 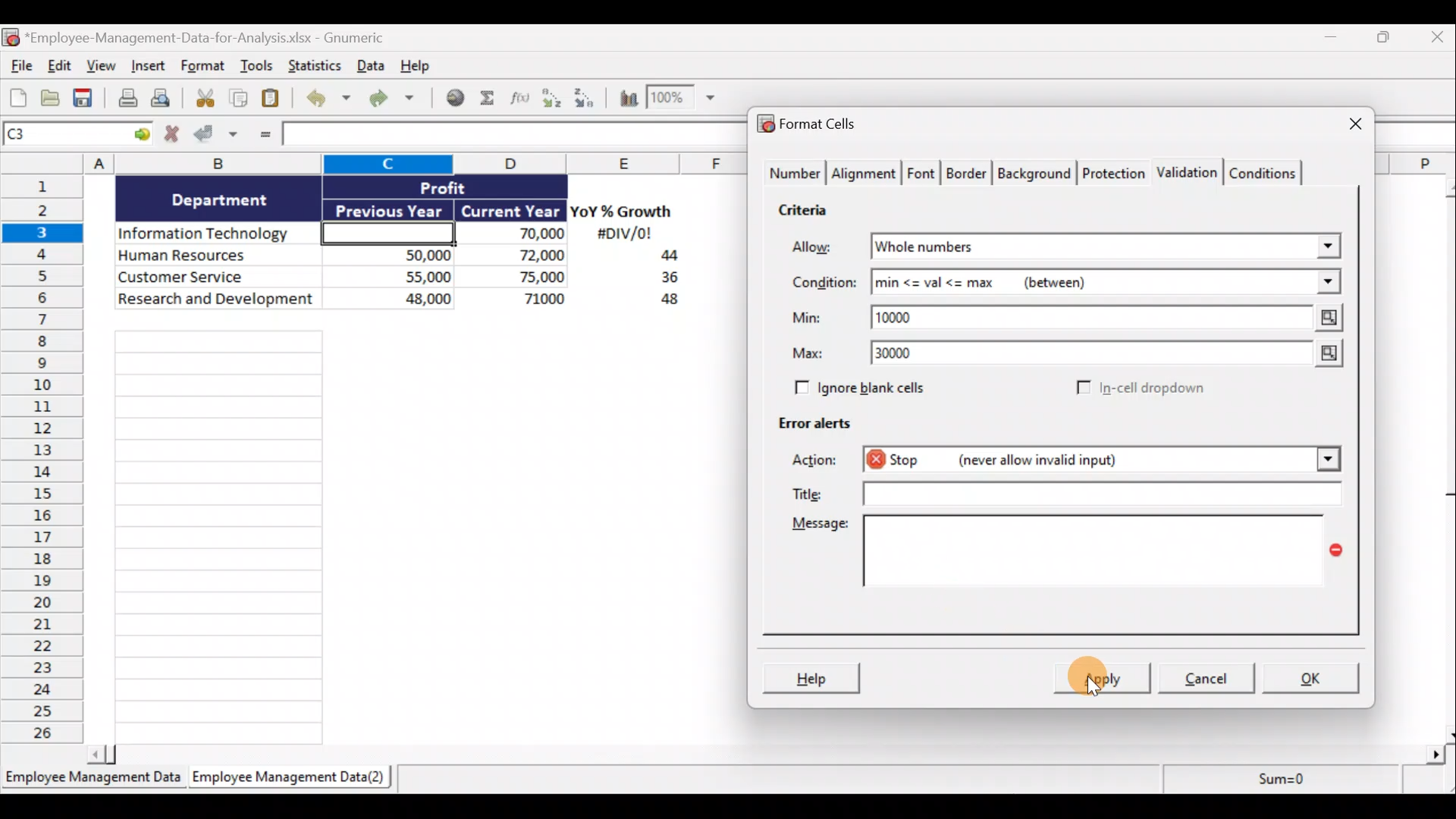 What do you see at coordinates (257, 67) in the screenshot?
I see `Tools` at bounding box center [257, 67].